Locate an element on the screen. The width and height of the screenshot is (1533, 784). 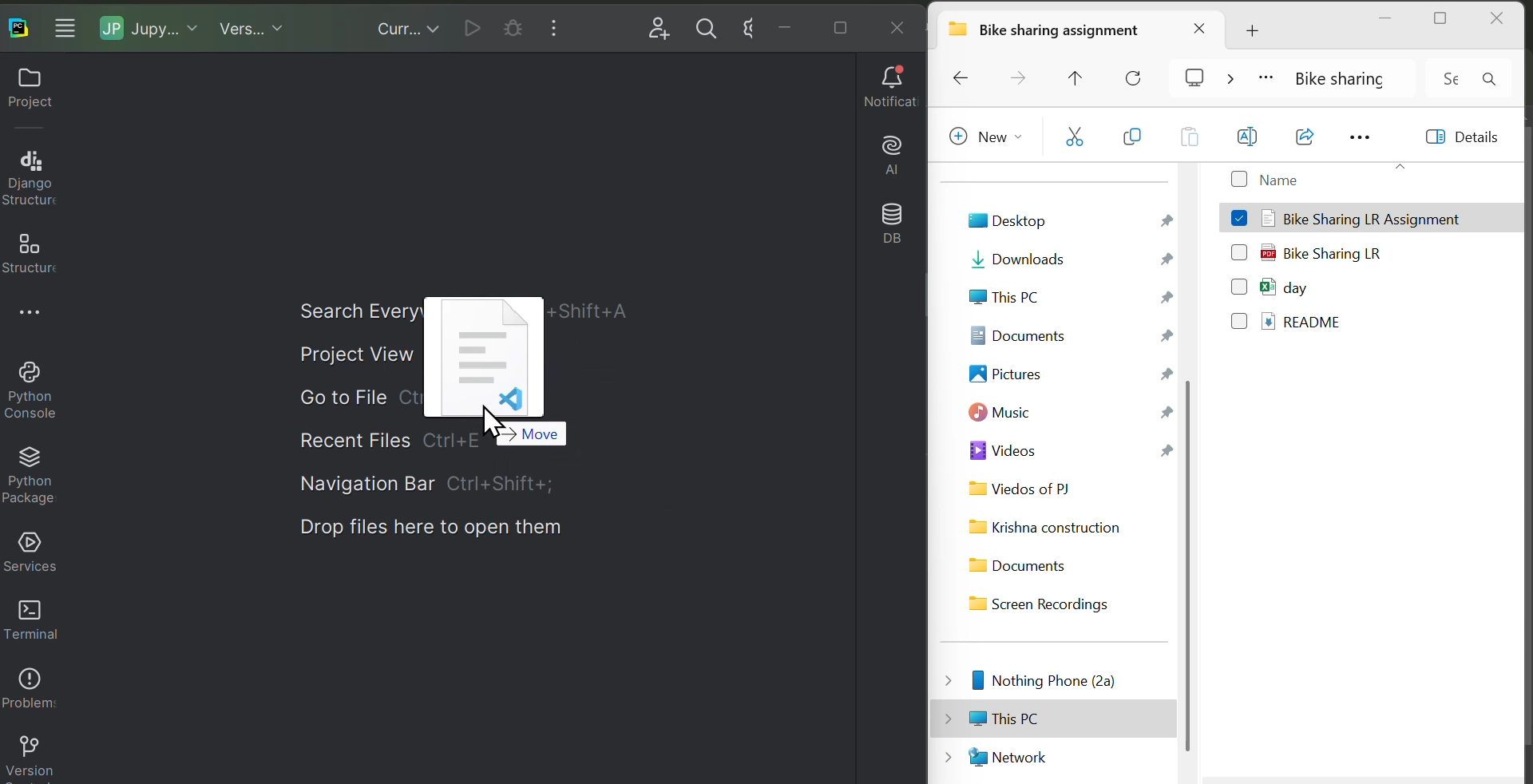
Virgin control is located at coordinates (252, 27).